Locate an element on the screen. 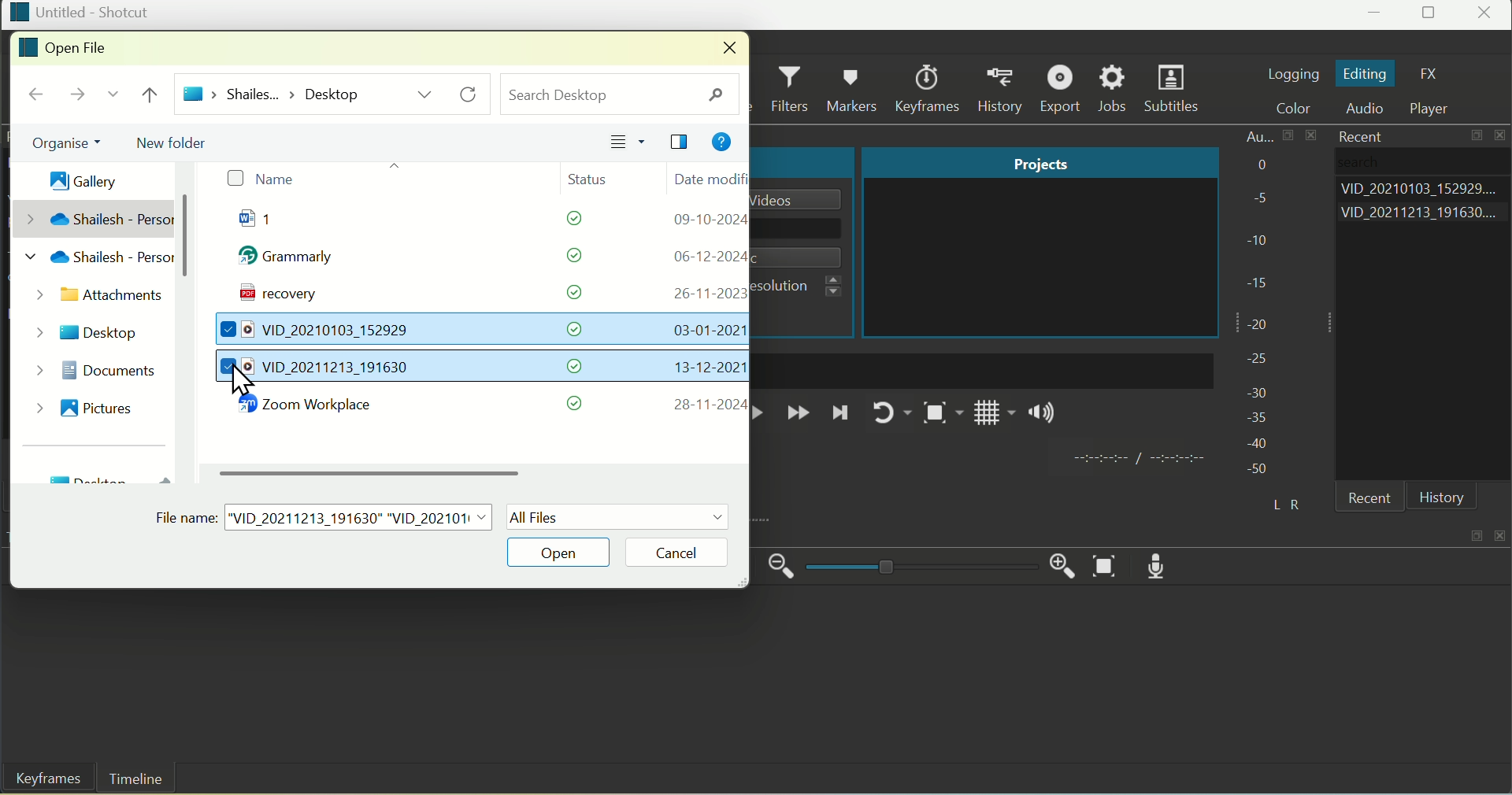  date is located at coordinates (707, 256).